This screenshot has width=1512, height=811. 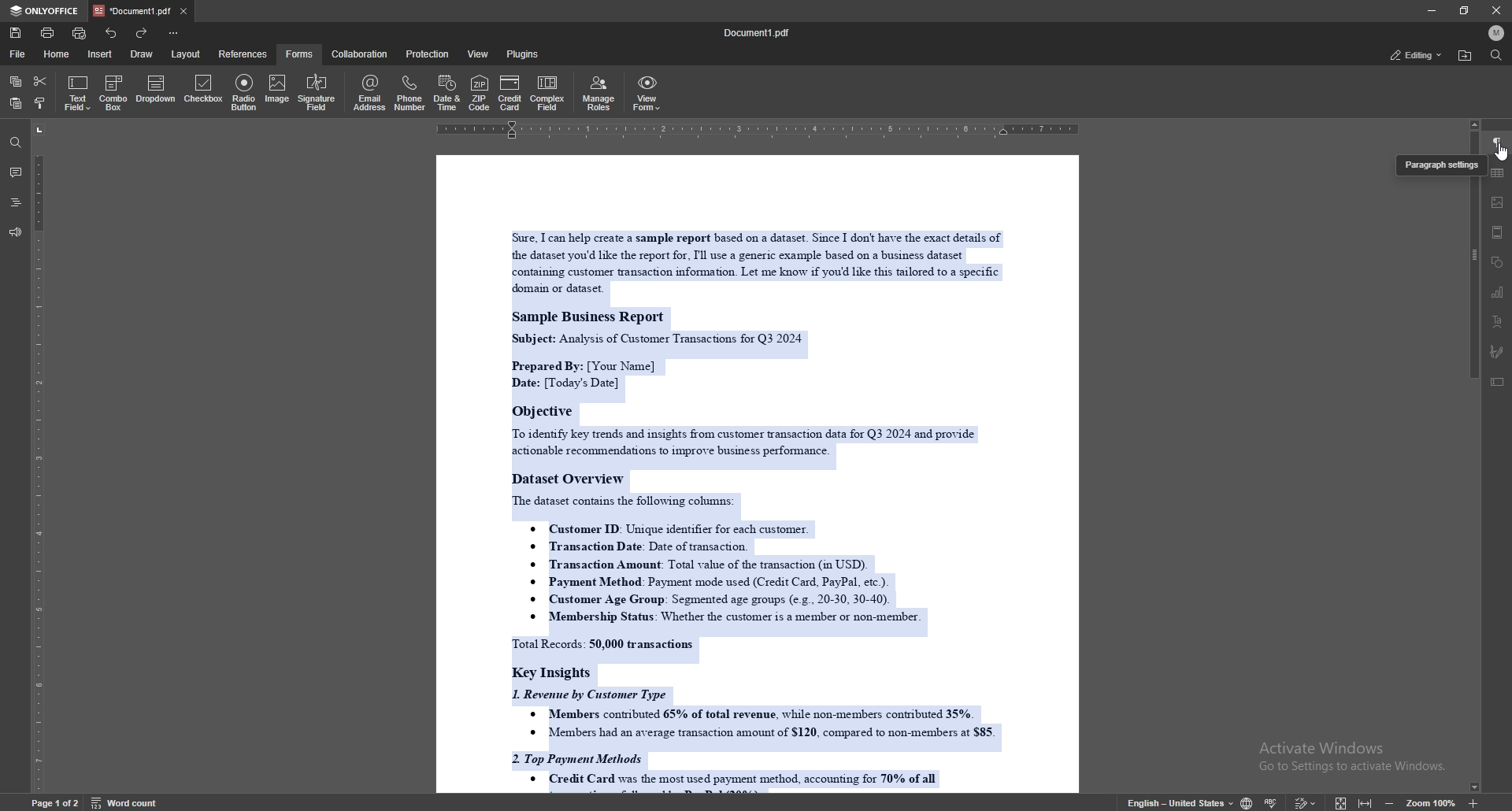 What do you see at coordinates (185, 54) in the screenshot?
I see `layout` at bounding box center [185, 54].